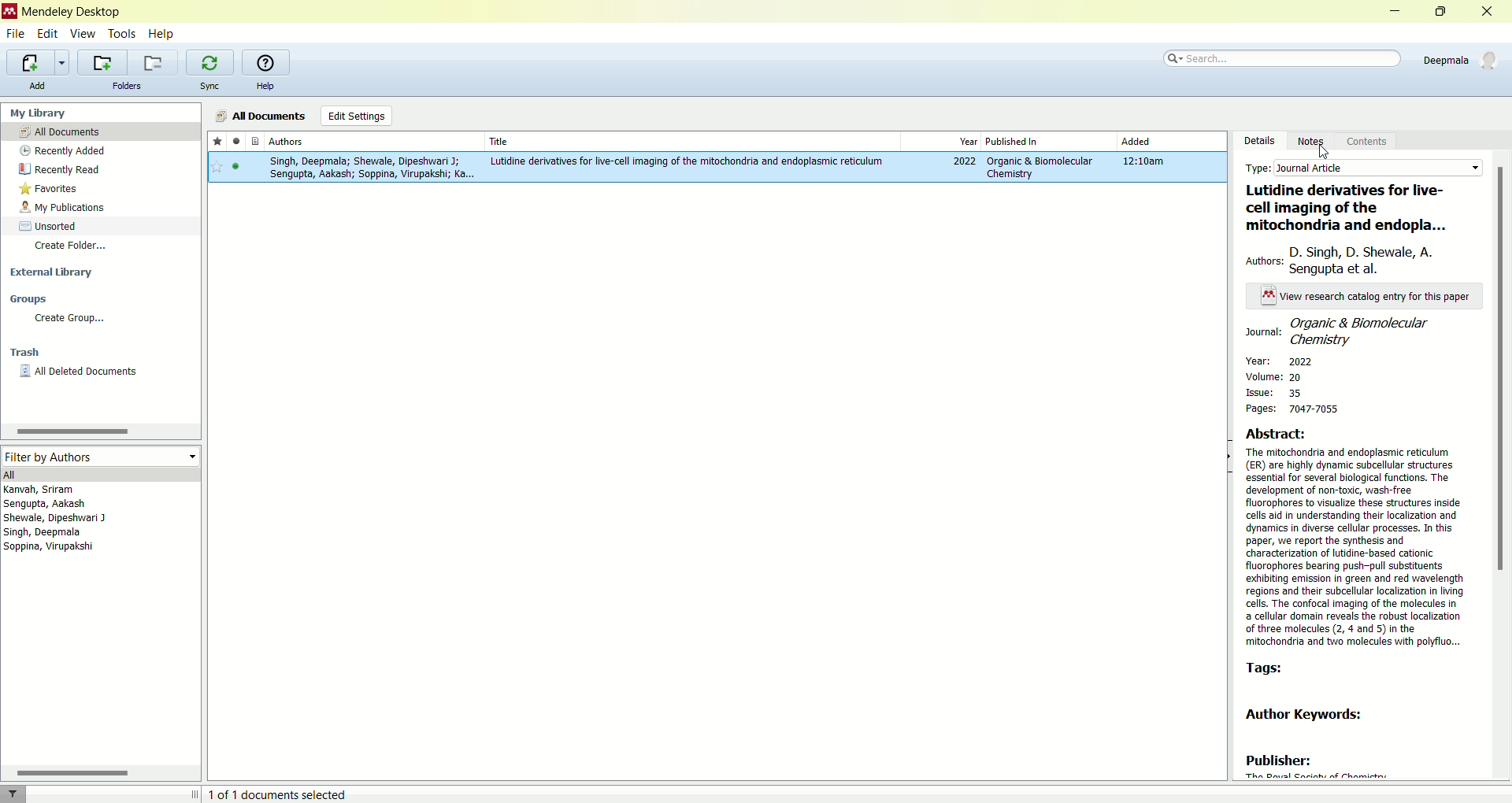 The image size is (1512, 803). What do you see at coordinates (1284, 392) in the screenshot?
I see `issue : 35` at bounding box center [1284, 392].